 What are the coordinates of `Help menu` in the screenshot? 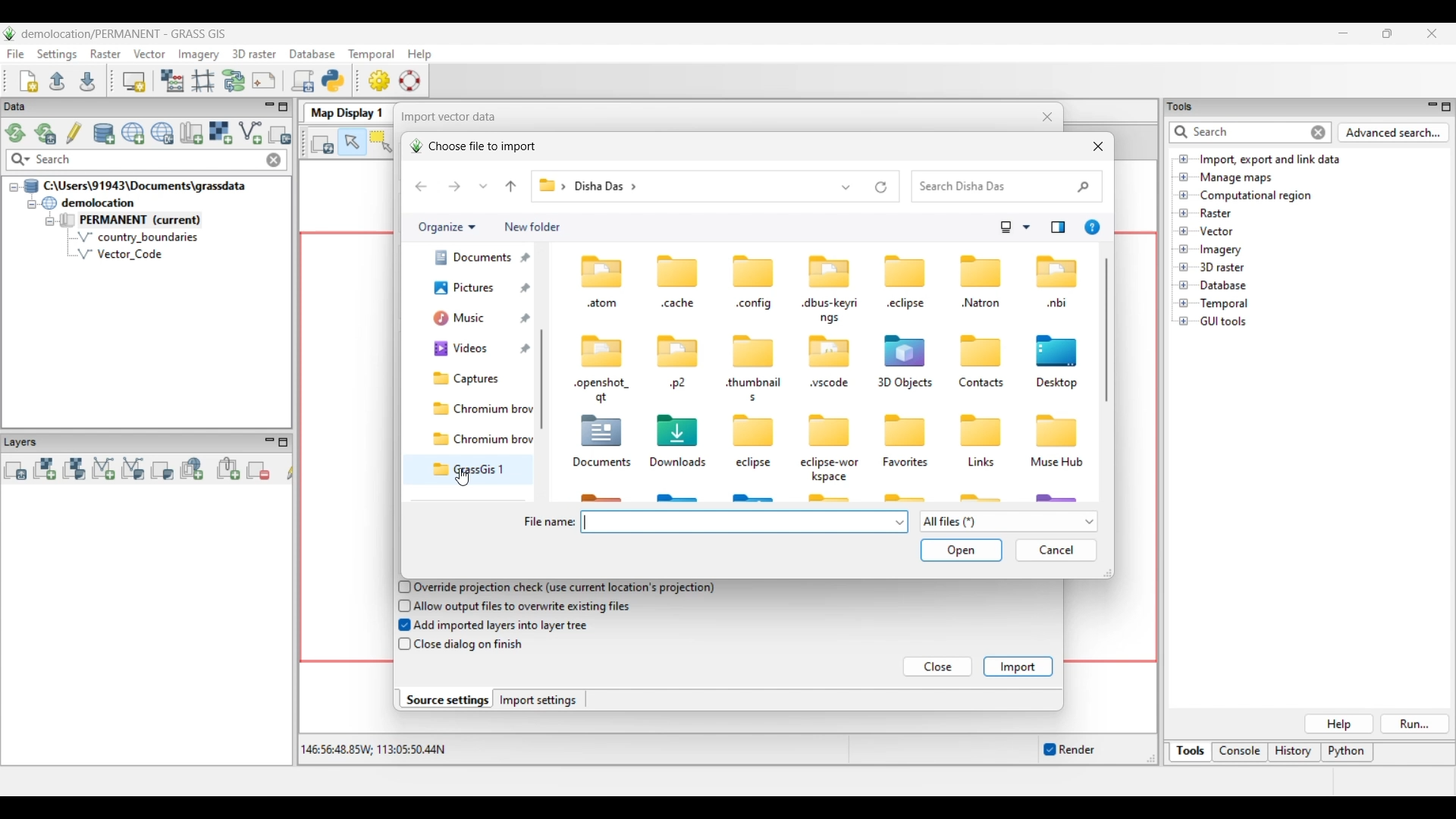 It's located at (419, 54).